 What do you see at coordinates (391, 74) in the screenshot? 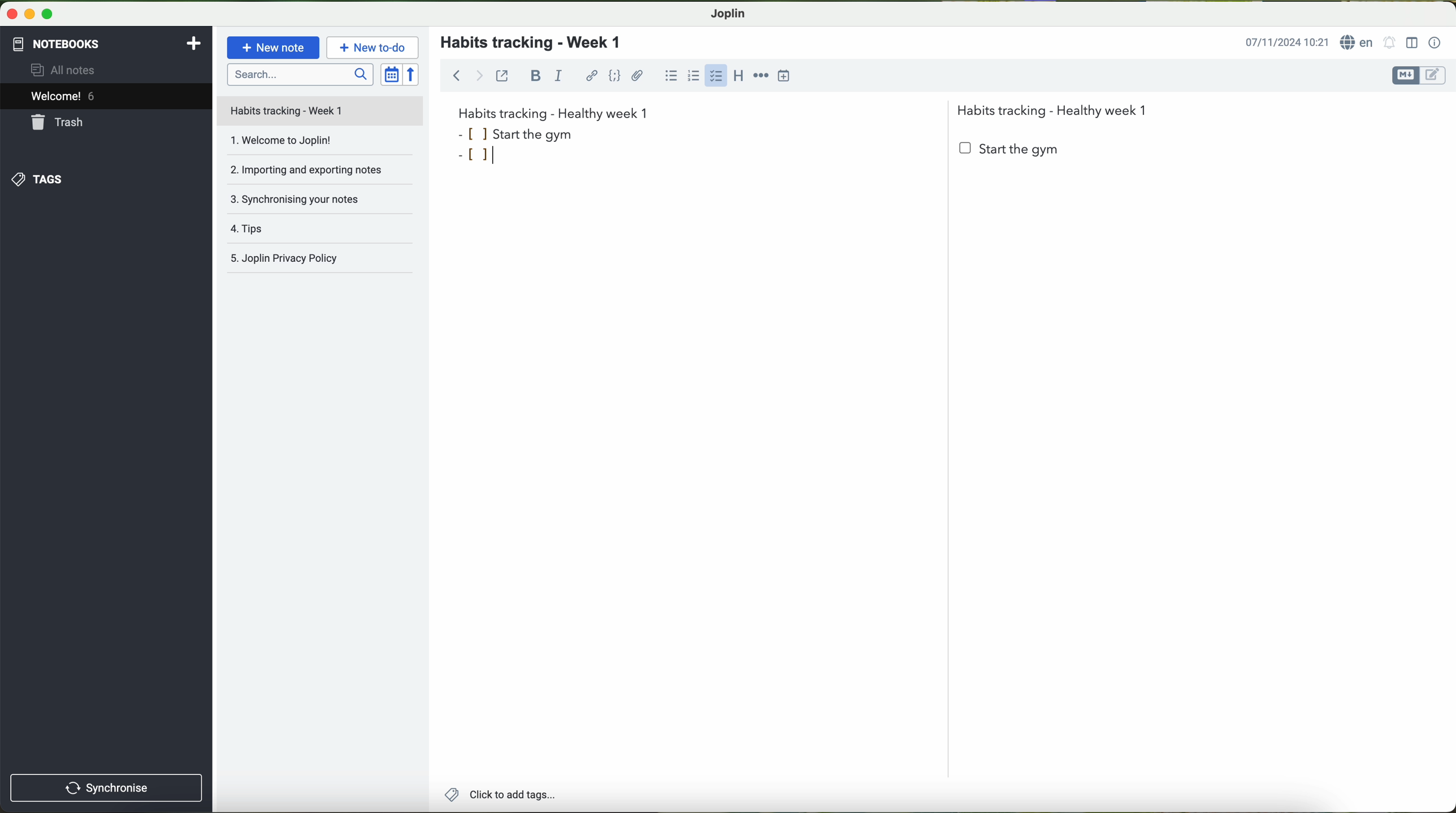
I see `toggle sort order field` at bounding box center [391, 74].